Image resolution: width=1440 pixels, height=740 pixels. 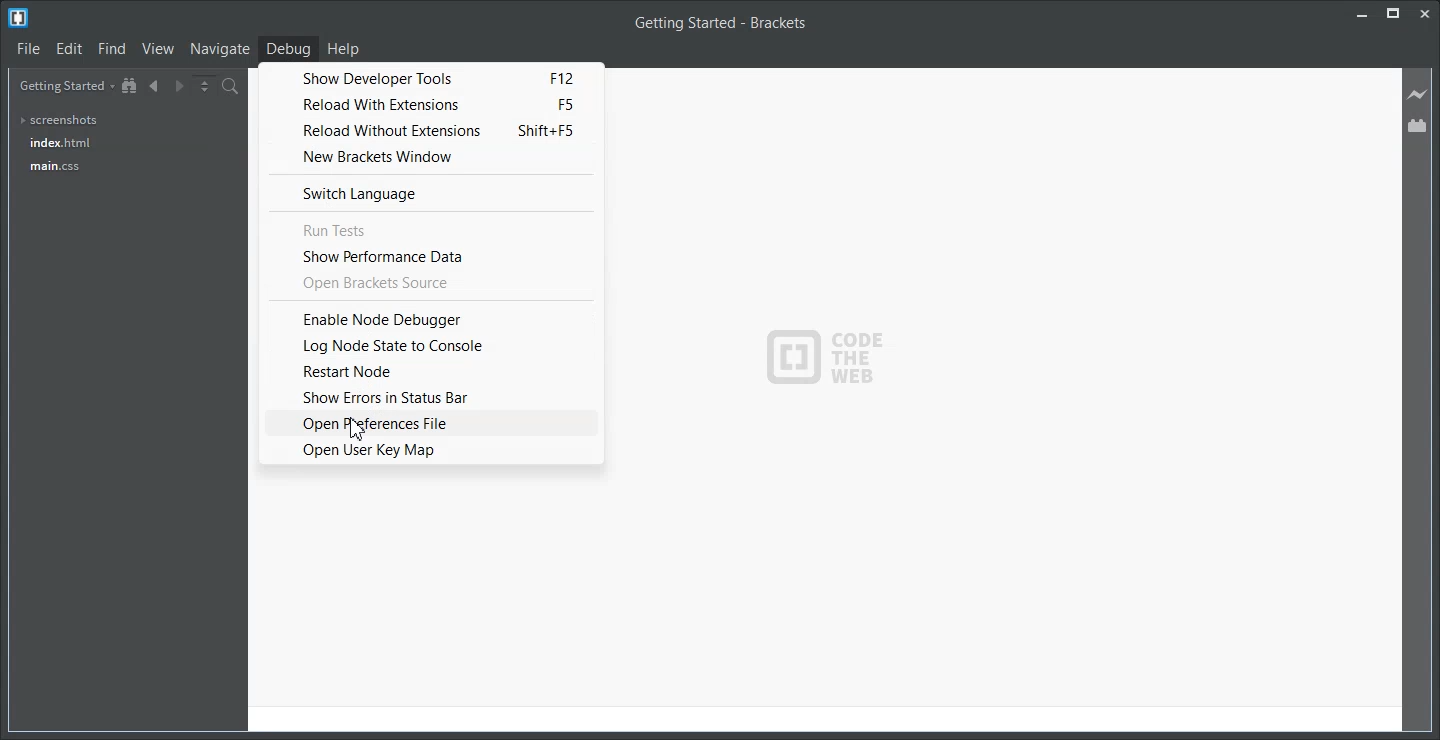 What do you see at coordinates (430, 131) in the screenshot?
I see `Reload without Extensions   Shift+F5` at bounding box center [430, 131].